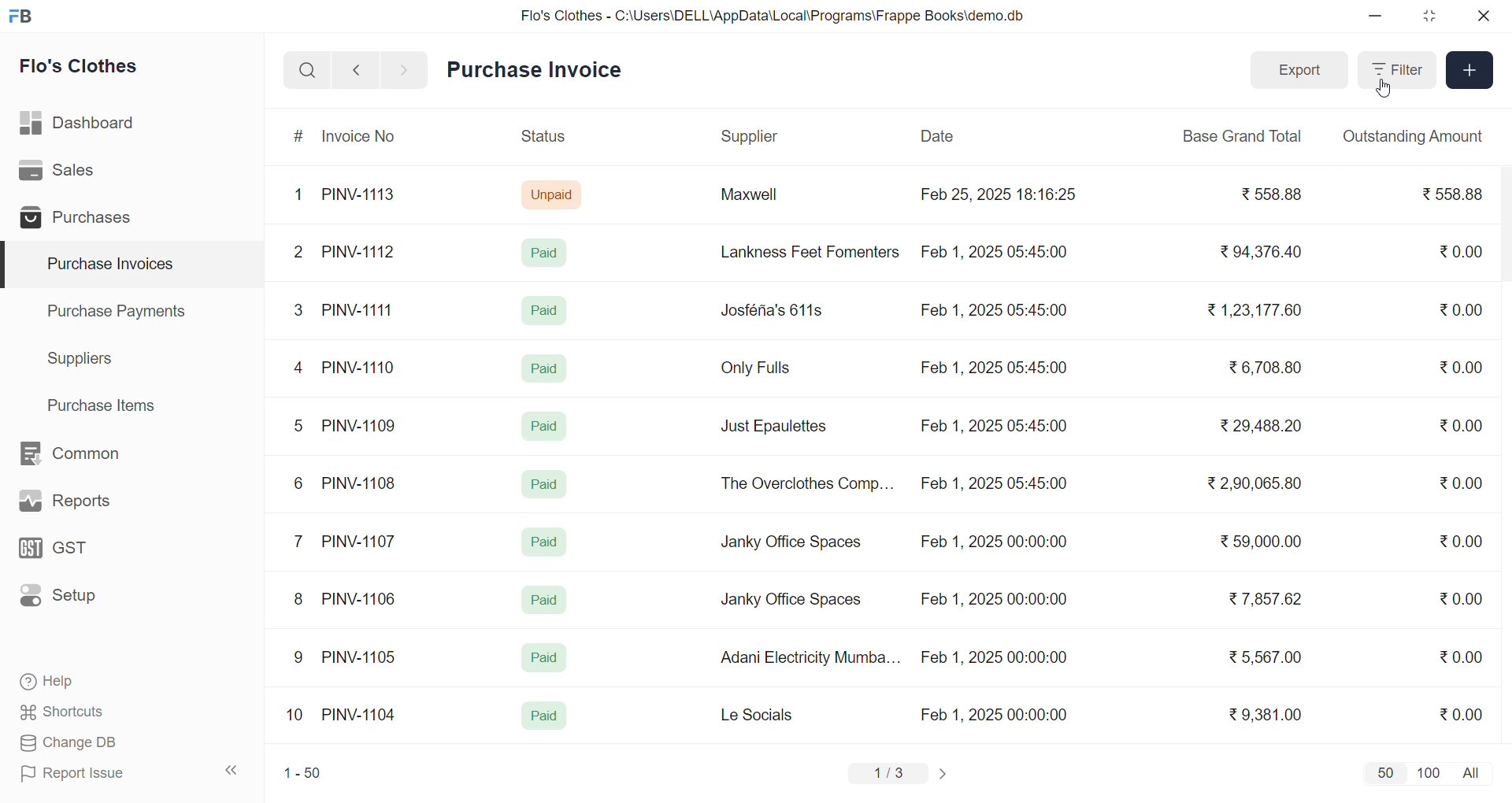 This screenshot has width=1512, height=803. Describe the element at coordinates (1384, 772) in the screenshot. I see `50` at that location.